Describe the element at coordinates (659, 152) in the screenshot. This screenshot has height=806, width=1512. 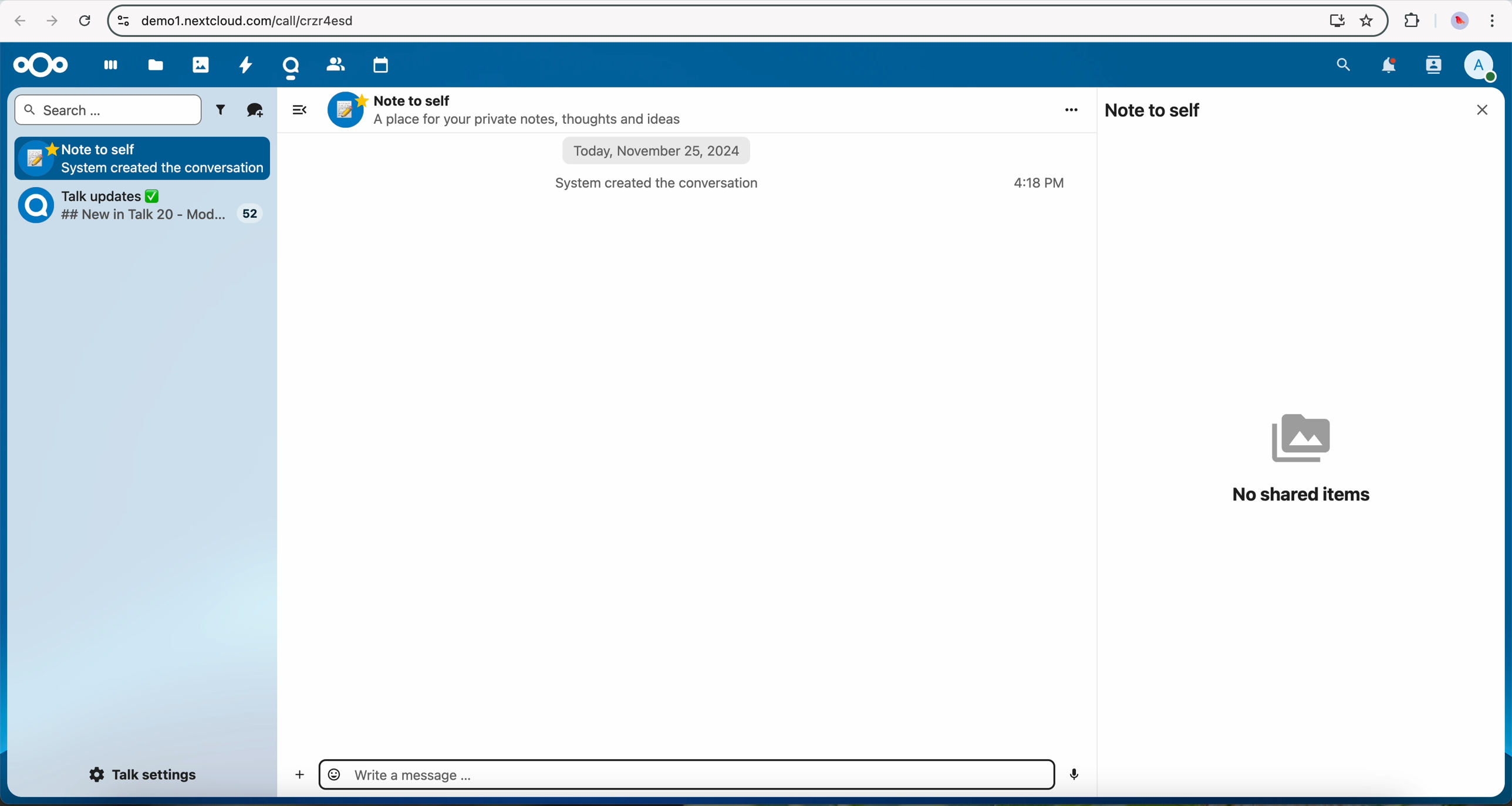
I see `date` at that location.